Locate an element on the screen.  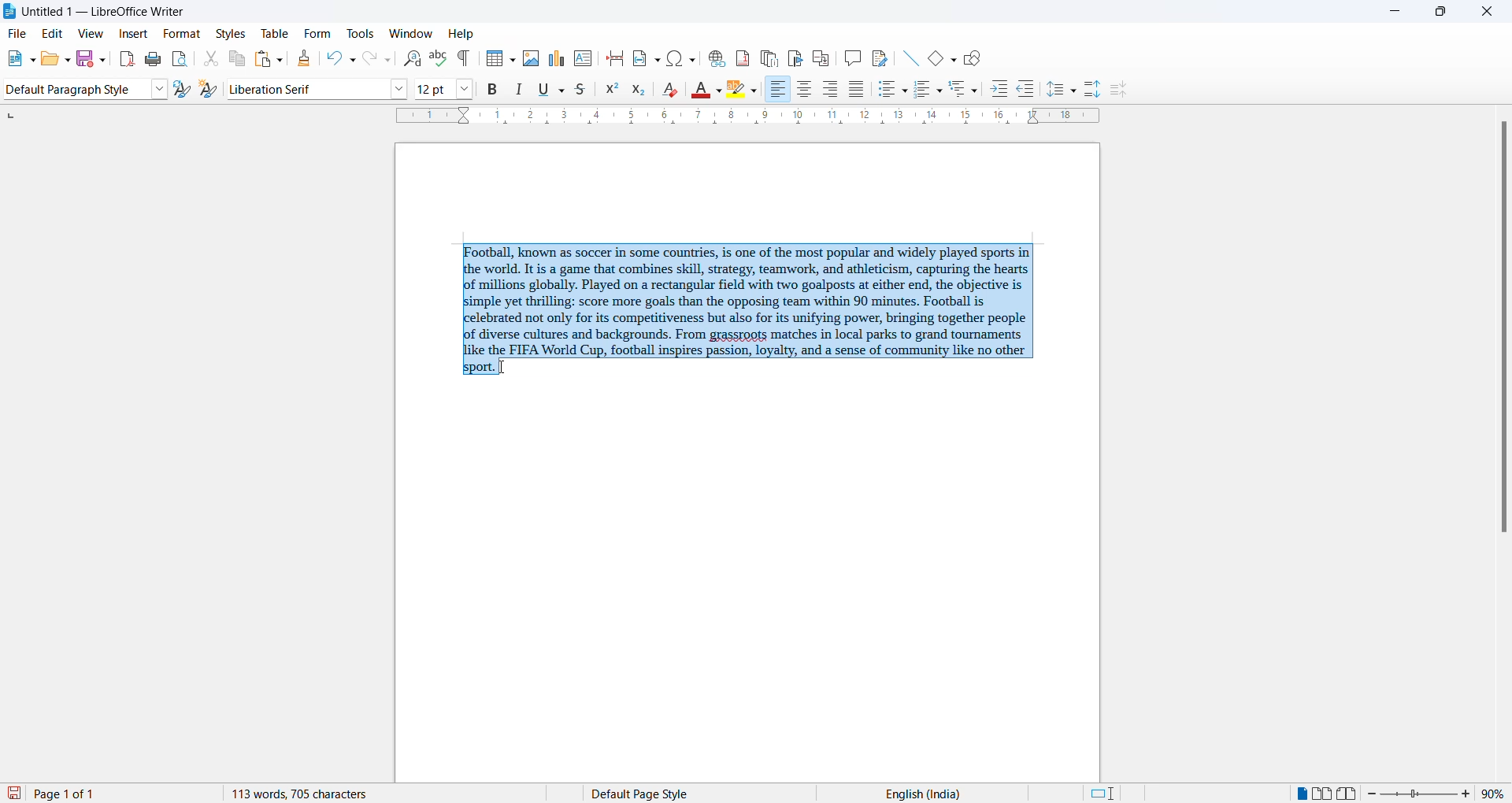
text align center is located at coordinates (805, 90).